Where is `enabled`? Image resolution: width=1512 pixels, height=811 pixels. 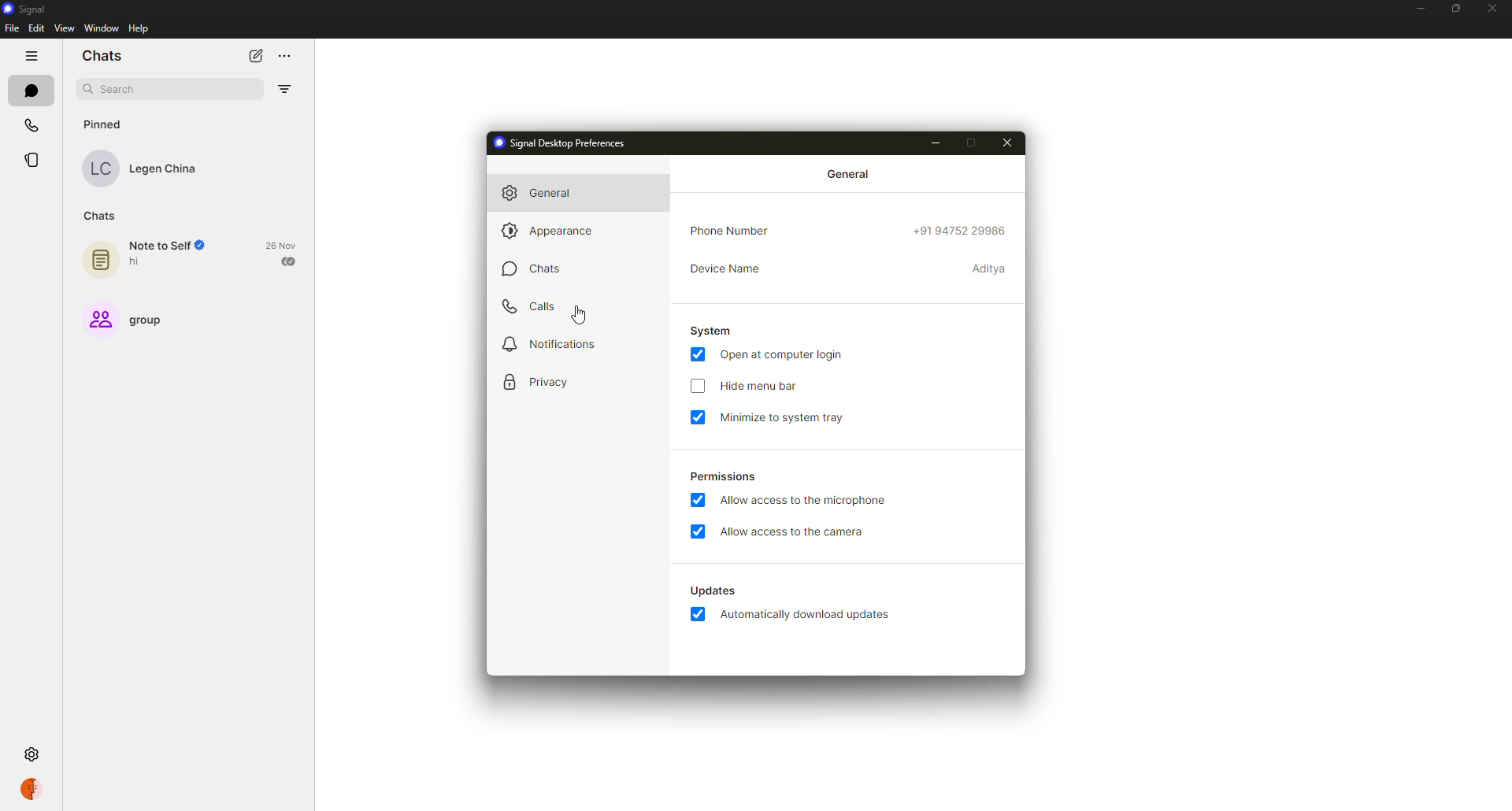
enabled is located at coordinates (698, 501).